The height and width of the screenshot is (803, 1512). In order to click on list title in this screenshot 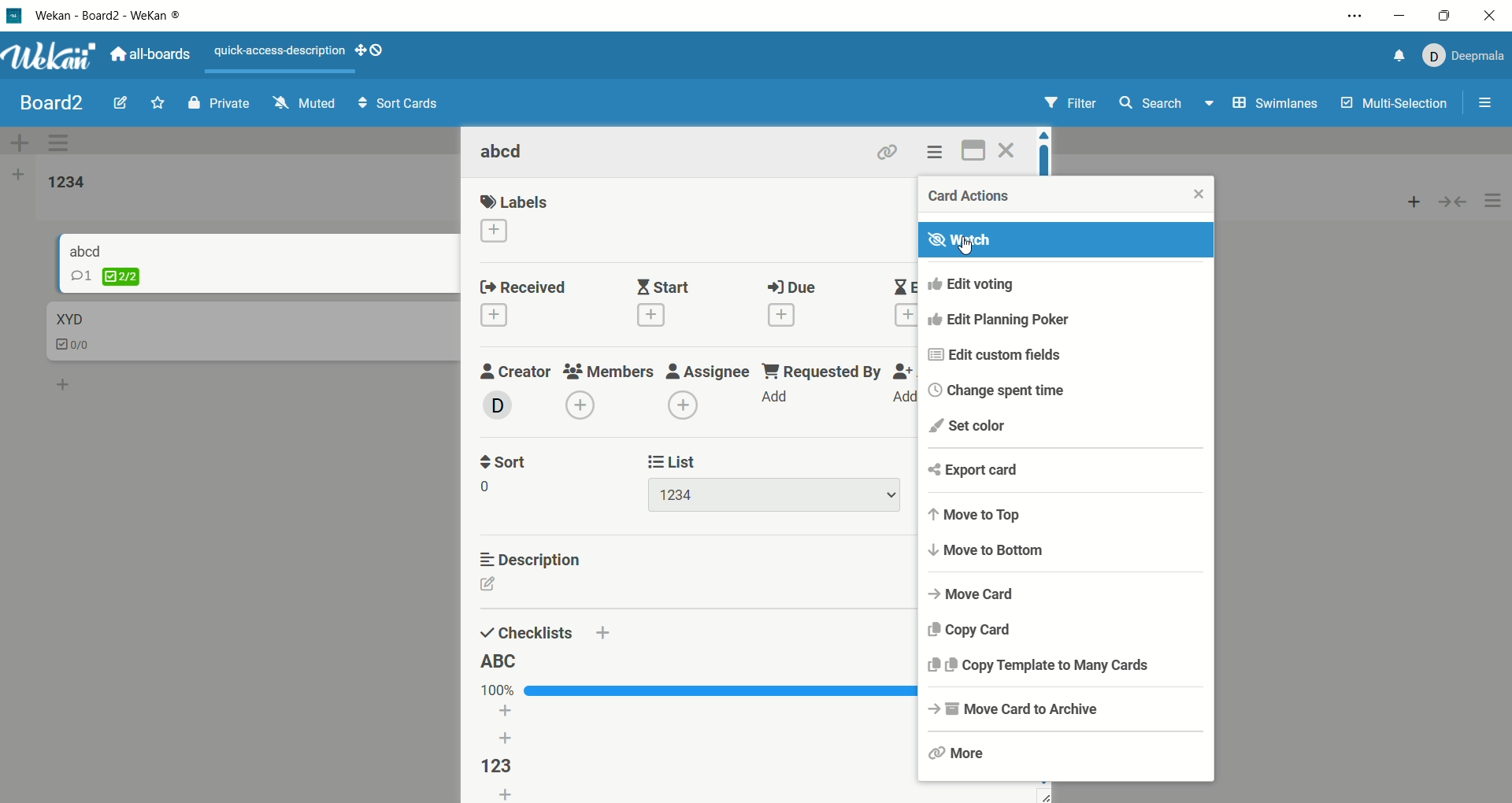, I will do `click(500, 661)`.